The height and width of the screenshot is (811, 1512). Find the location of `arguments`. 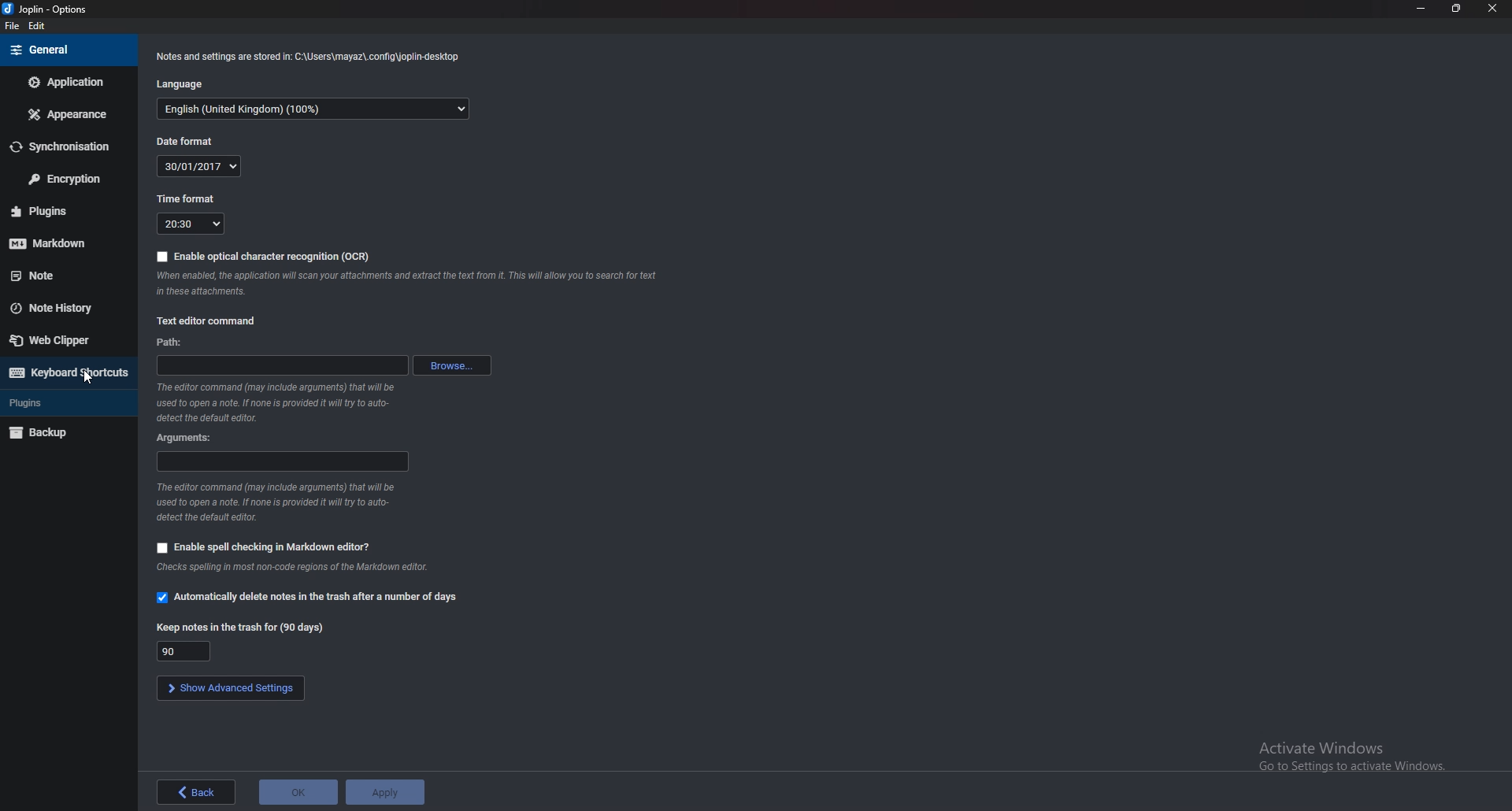

arguments is located at coordinates (186, 439).